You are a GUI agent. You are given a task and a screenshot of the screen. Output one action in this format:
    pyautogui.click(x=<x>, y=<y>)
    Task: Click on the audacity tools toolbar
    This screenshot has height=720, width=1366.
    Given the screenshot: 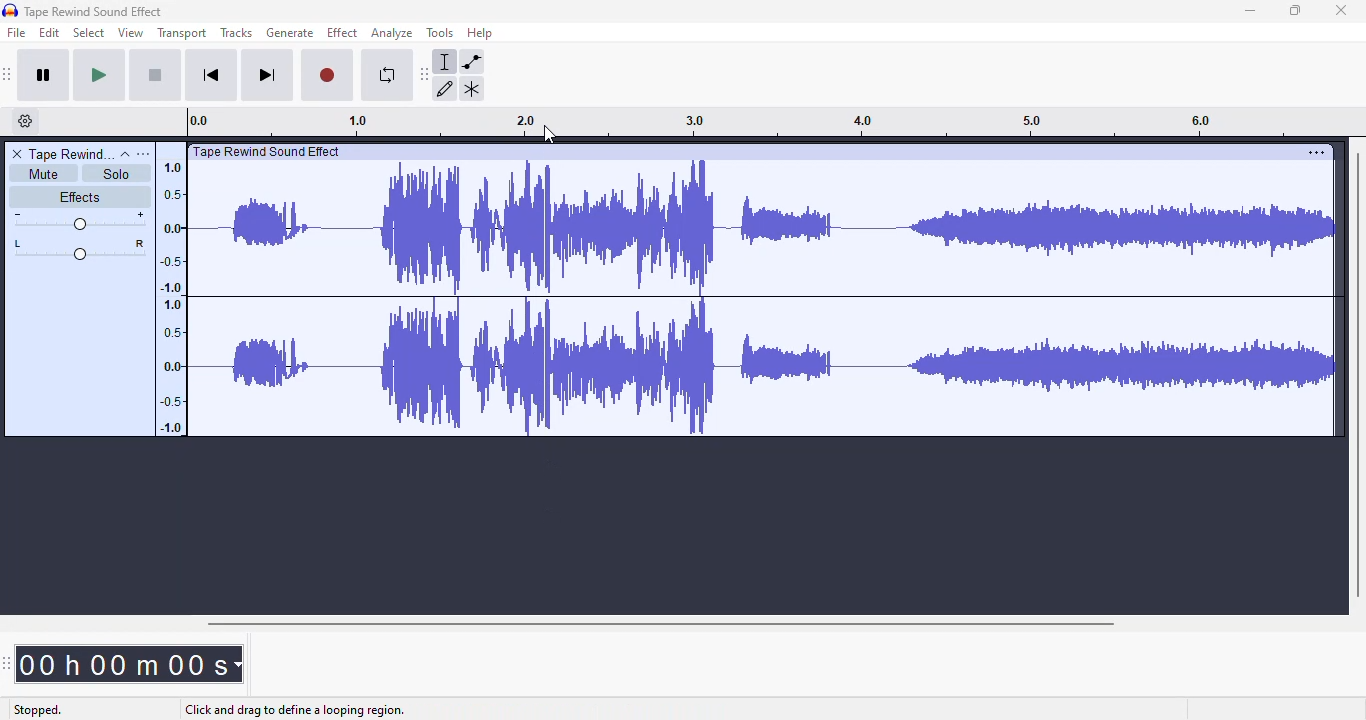 What is the action you would take?
    pyautogui.click(x=425, y=73)
    